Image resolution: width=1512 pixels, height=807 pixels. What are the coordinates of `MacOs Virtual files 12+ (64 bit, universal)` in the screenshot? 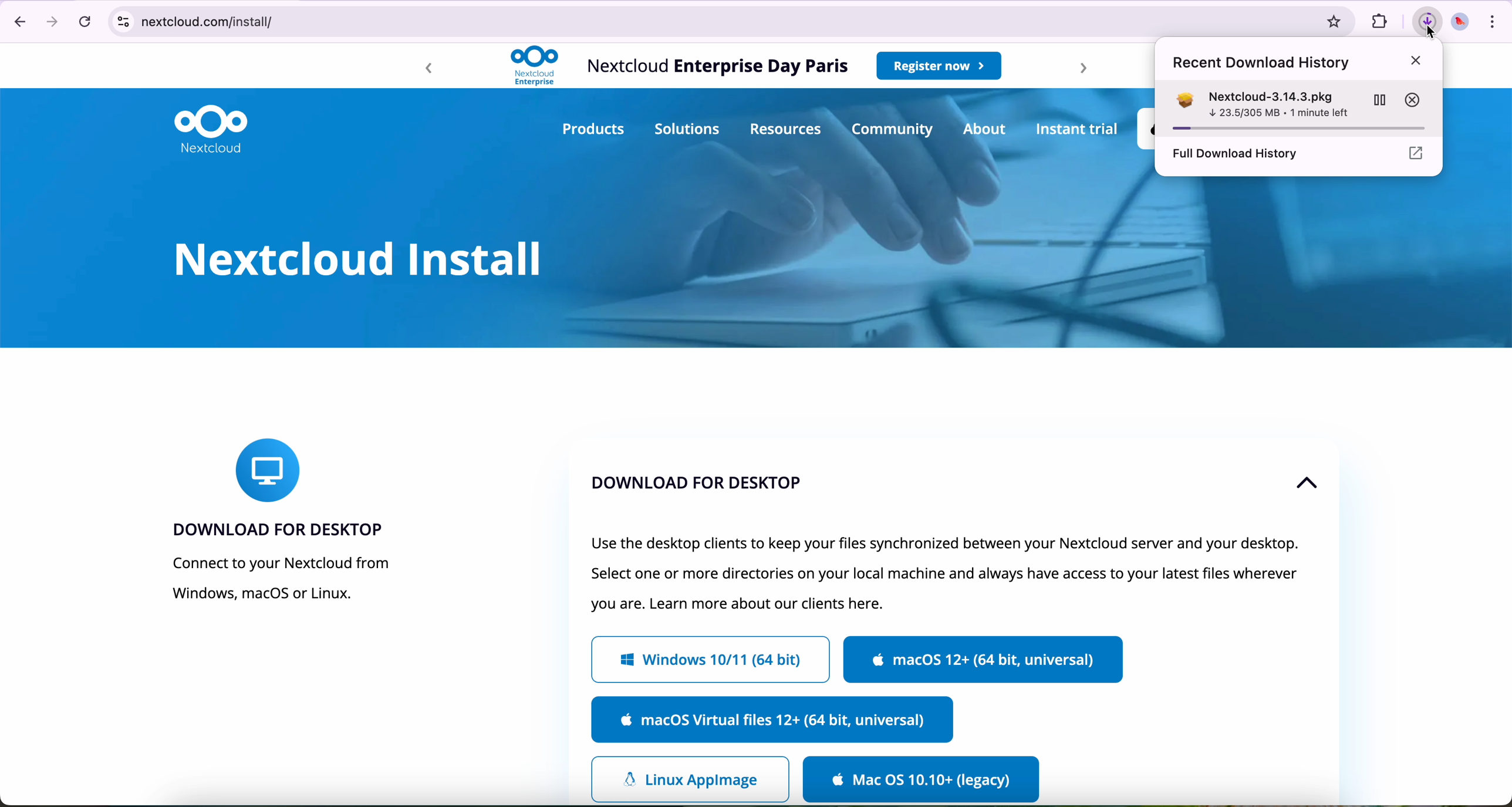 It's located at (774, 722).